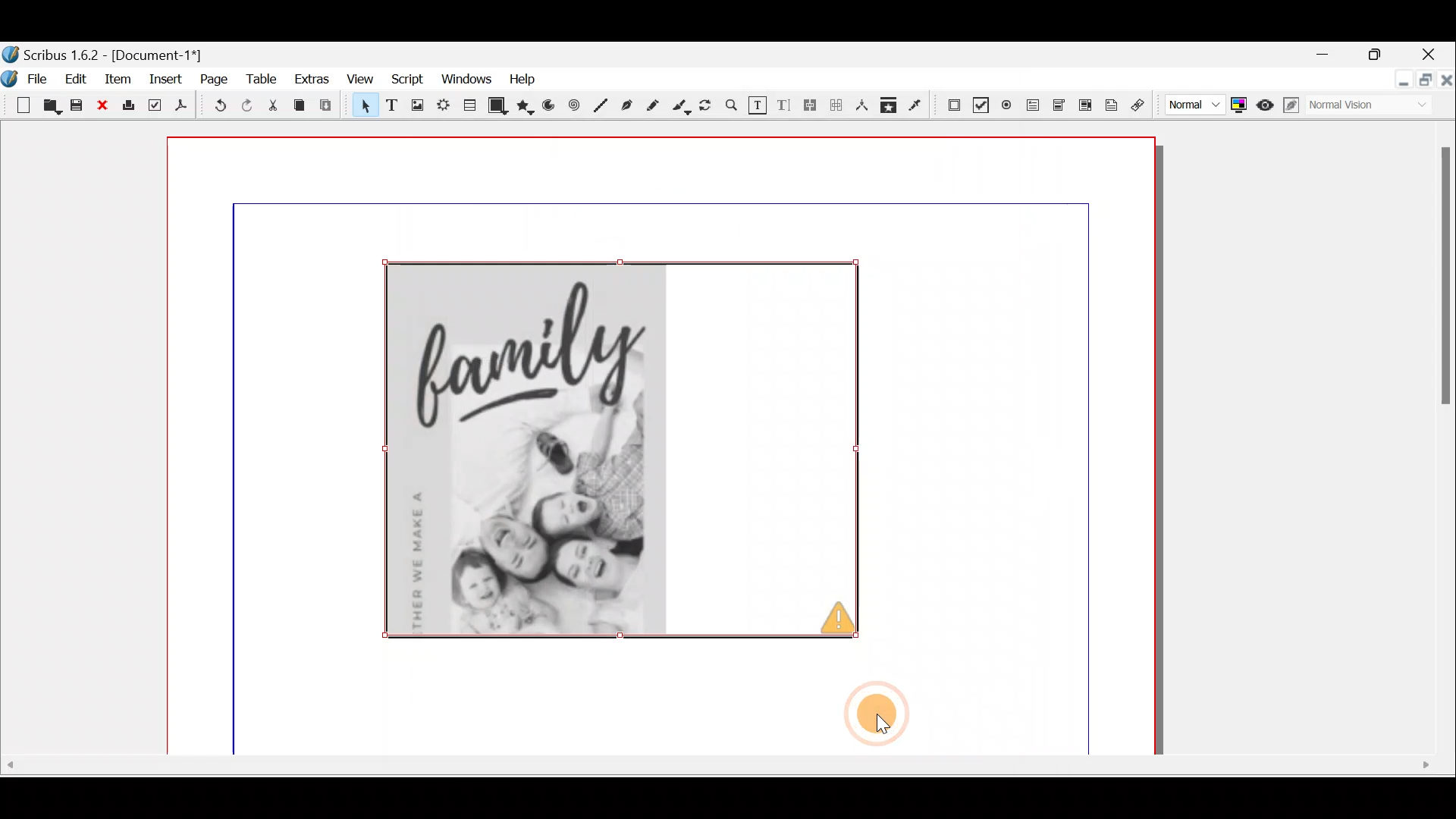 The height and width of the screenshot is (819, 1456). I want to click on Render frame, so click(443, 108).